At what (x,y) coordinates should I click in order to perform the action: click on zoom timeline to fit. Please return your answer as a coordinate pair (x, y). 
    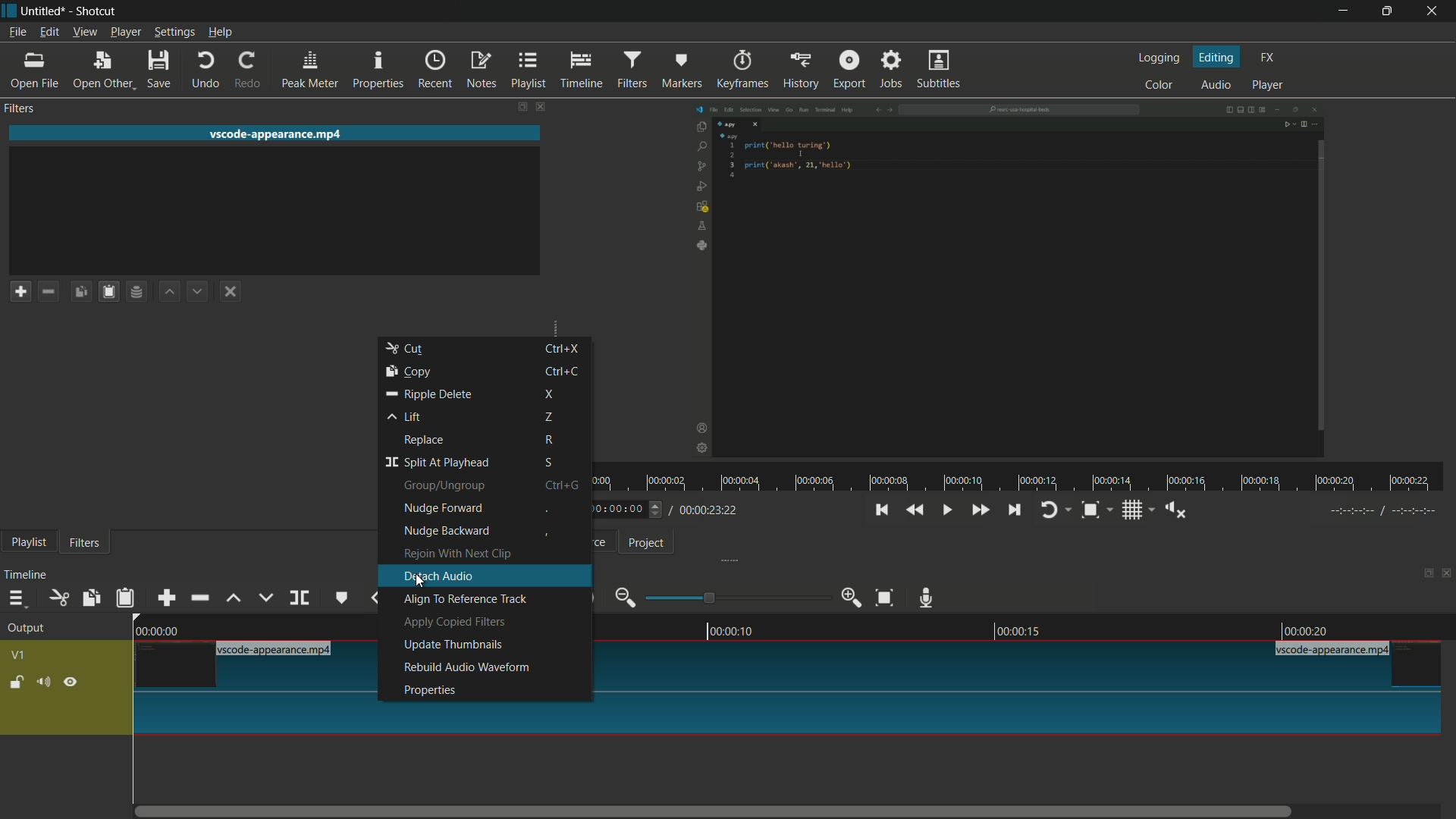
    Looking at the image, I should click on (884, 599).